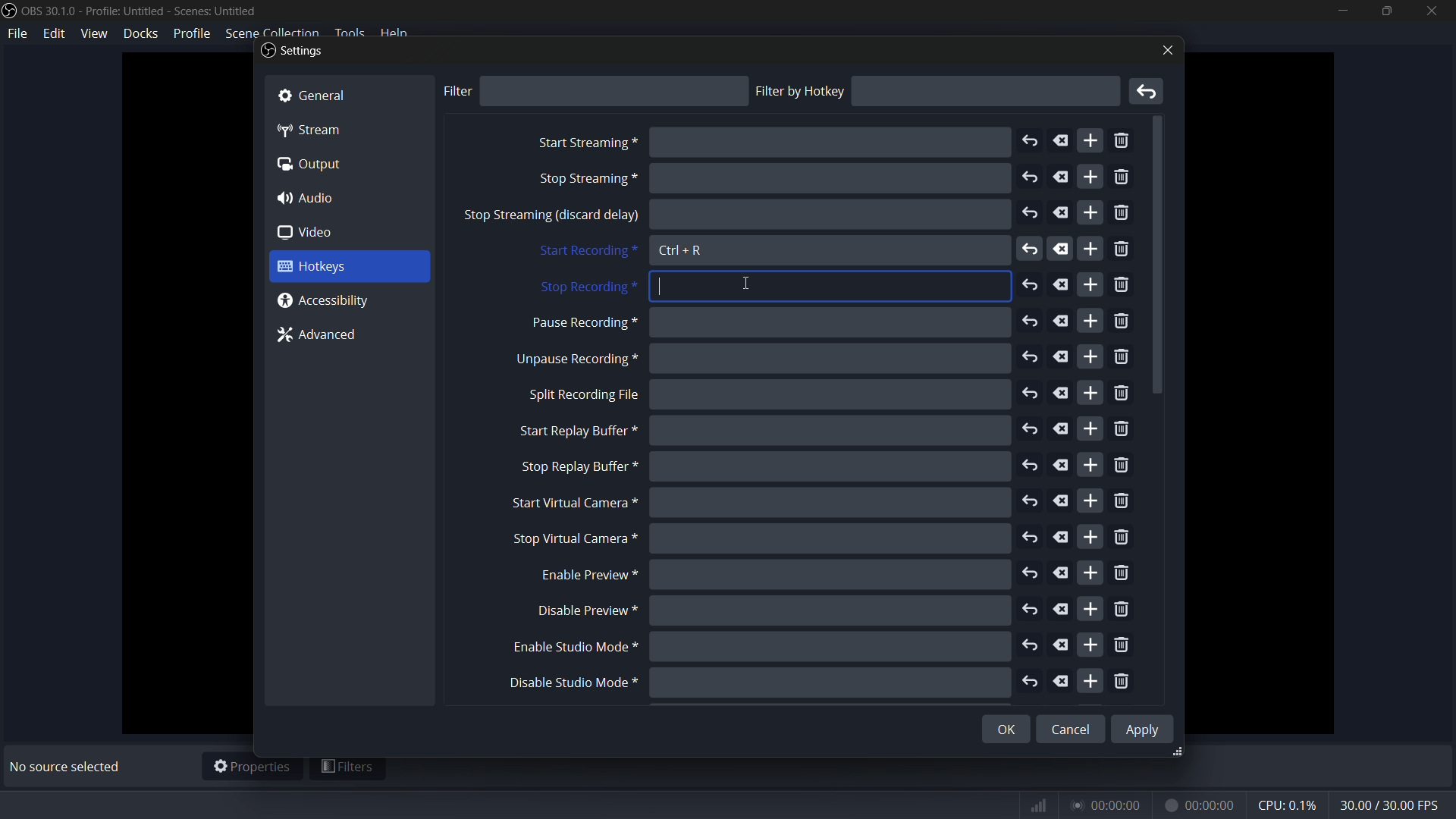 The image size is (1456, 819). I want to click on stop virtual camera, so click(571, 539).